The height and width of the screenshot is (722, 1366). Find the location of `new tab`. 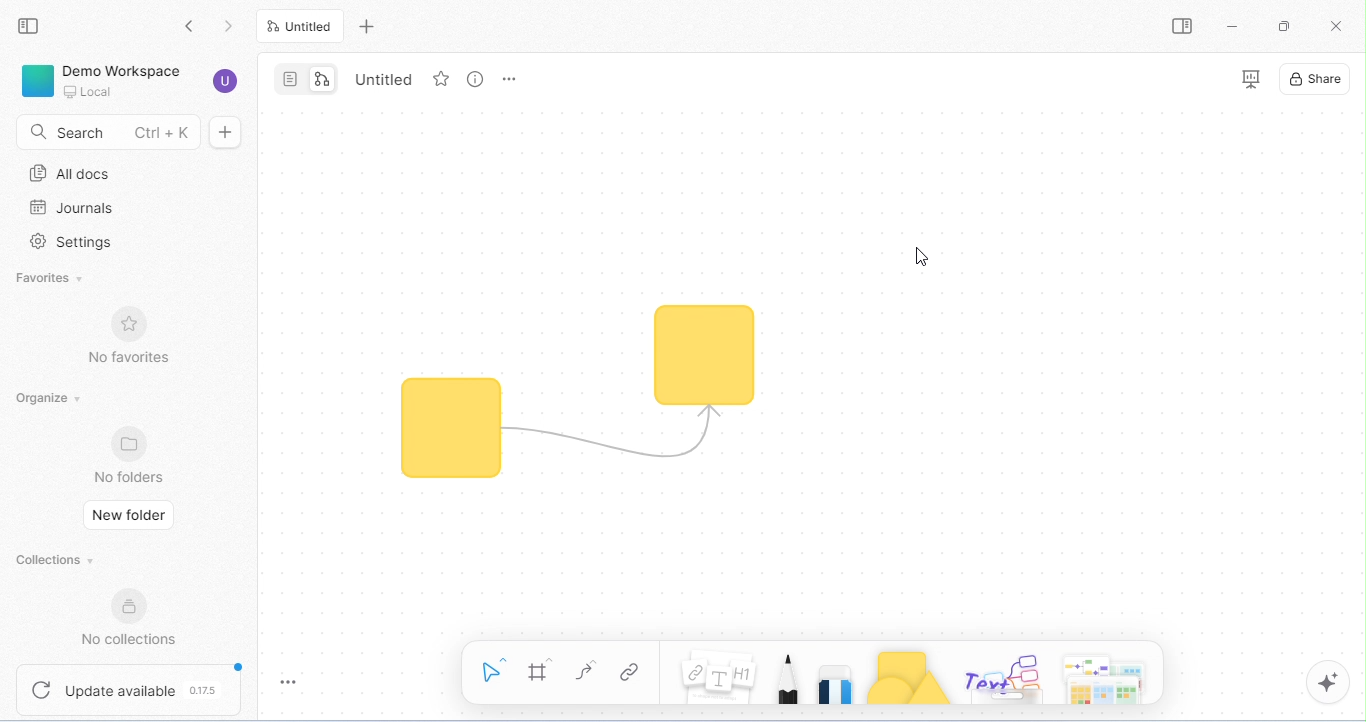

new tab is located at coordinates (370, 26).